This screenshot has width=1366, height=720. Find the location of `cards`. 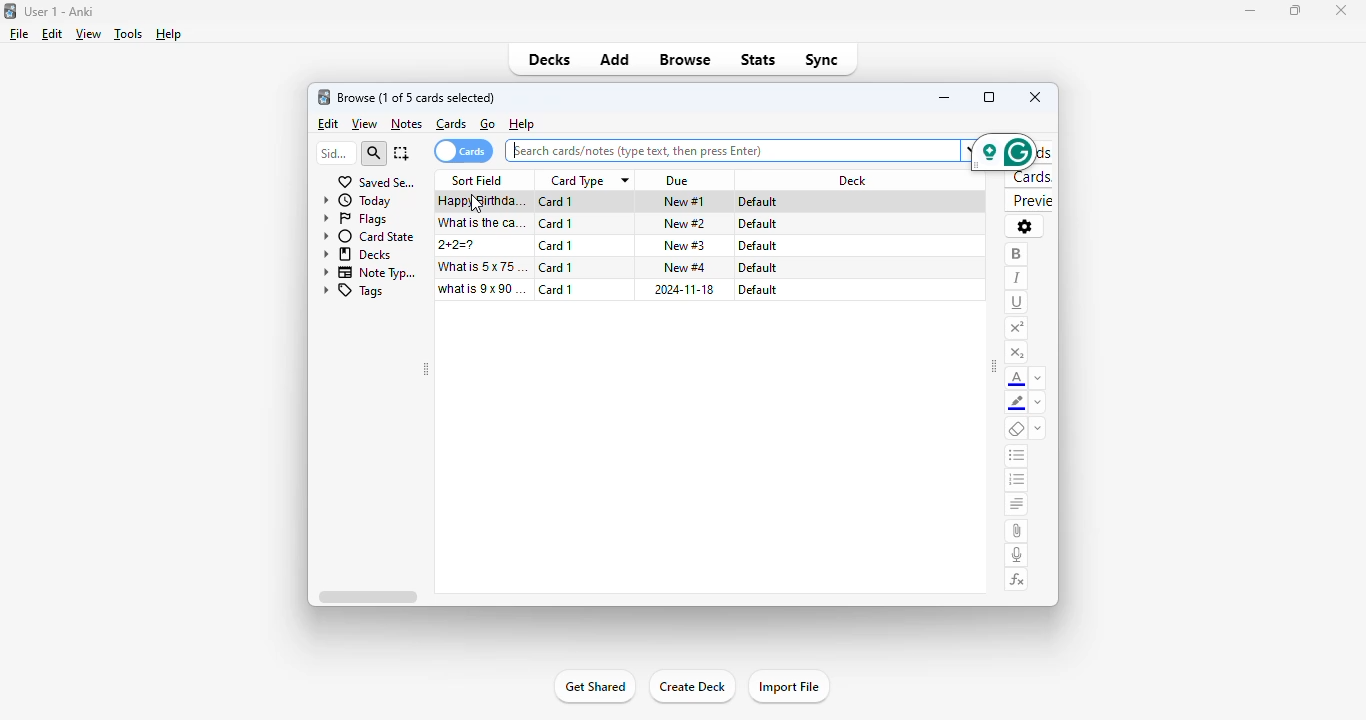

cards is located at coordinates (463, 151).